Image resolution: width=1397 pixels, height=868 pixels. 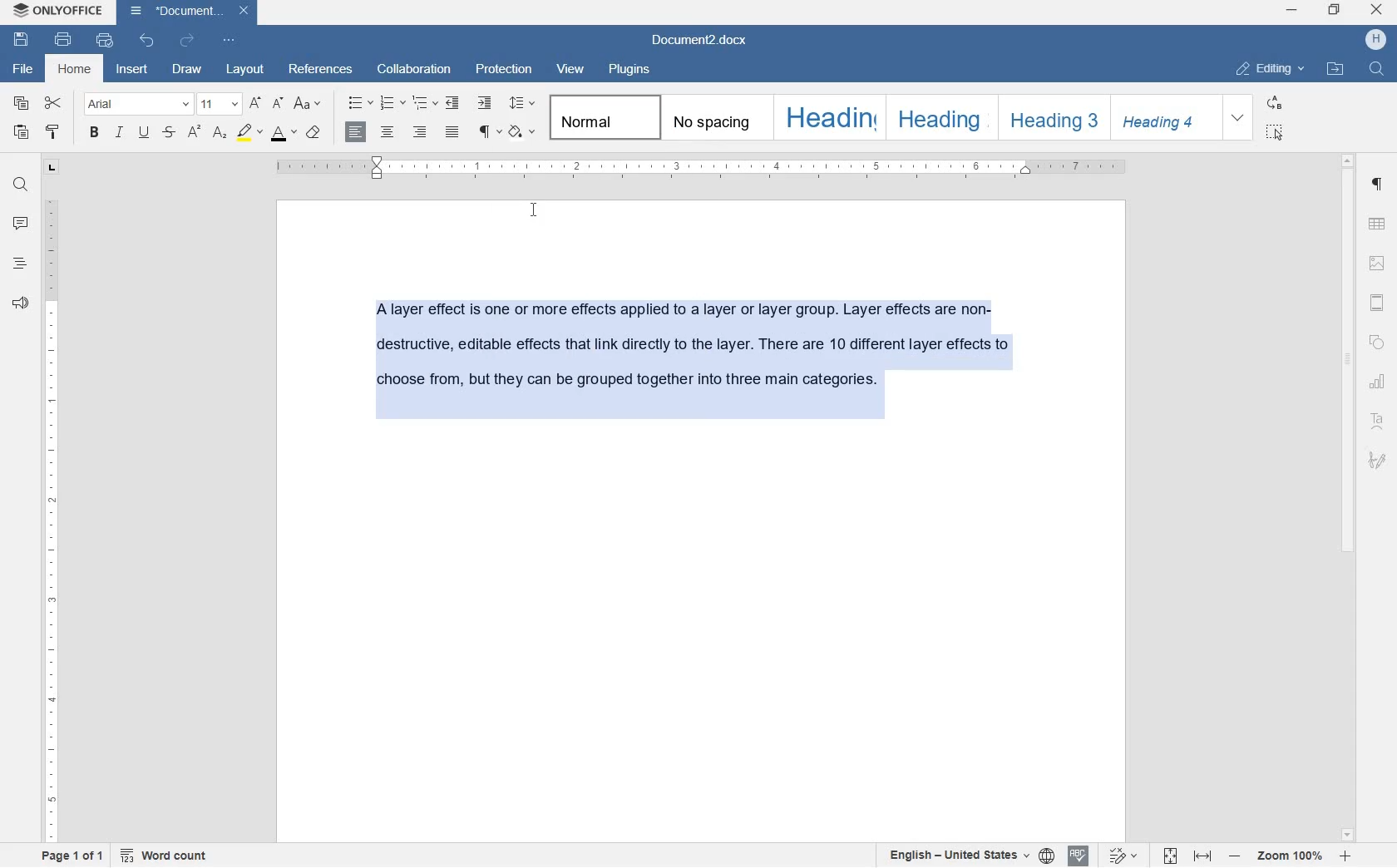 I want to click on hp, so click(x=1375, y=40).